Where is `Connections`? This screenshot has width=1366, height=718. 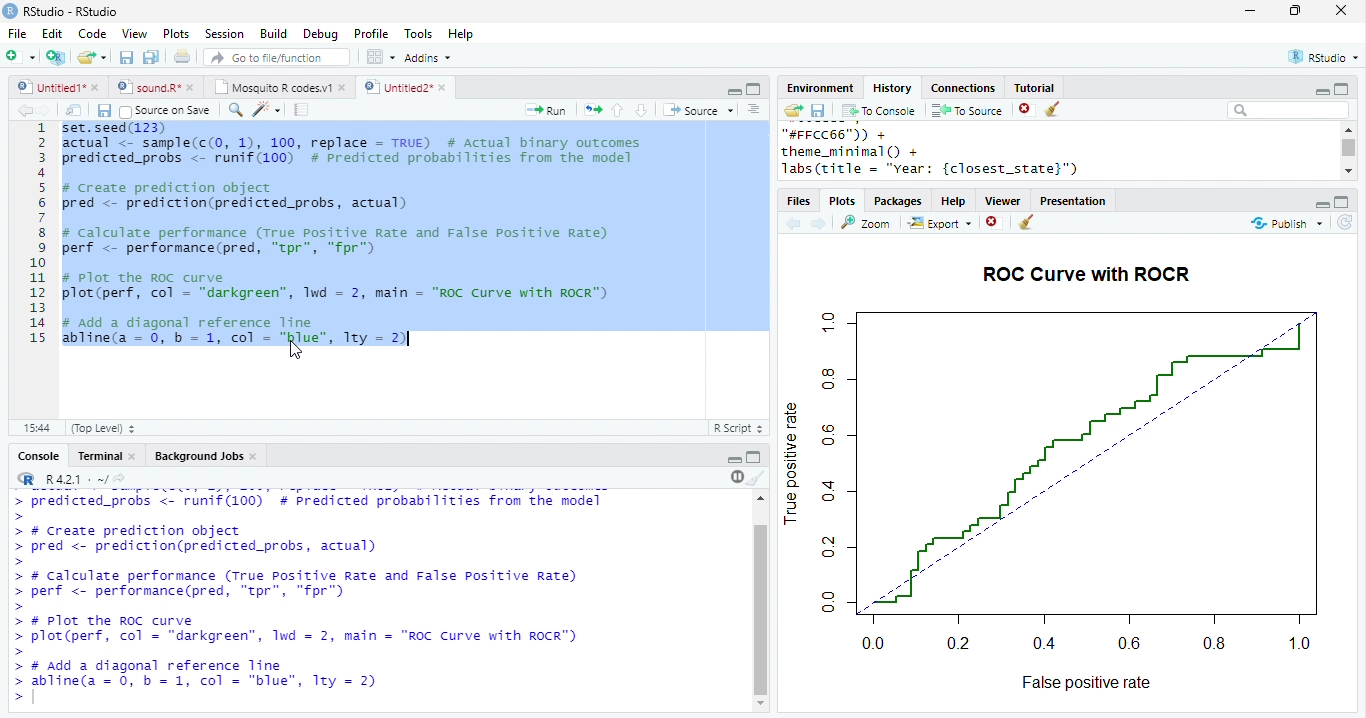
Connections is located at coordinates (962, 88).